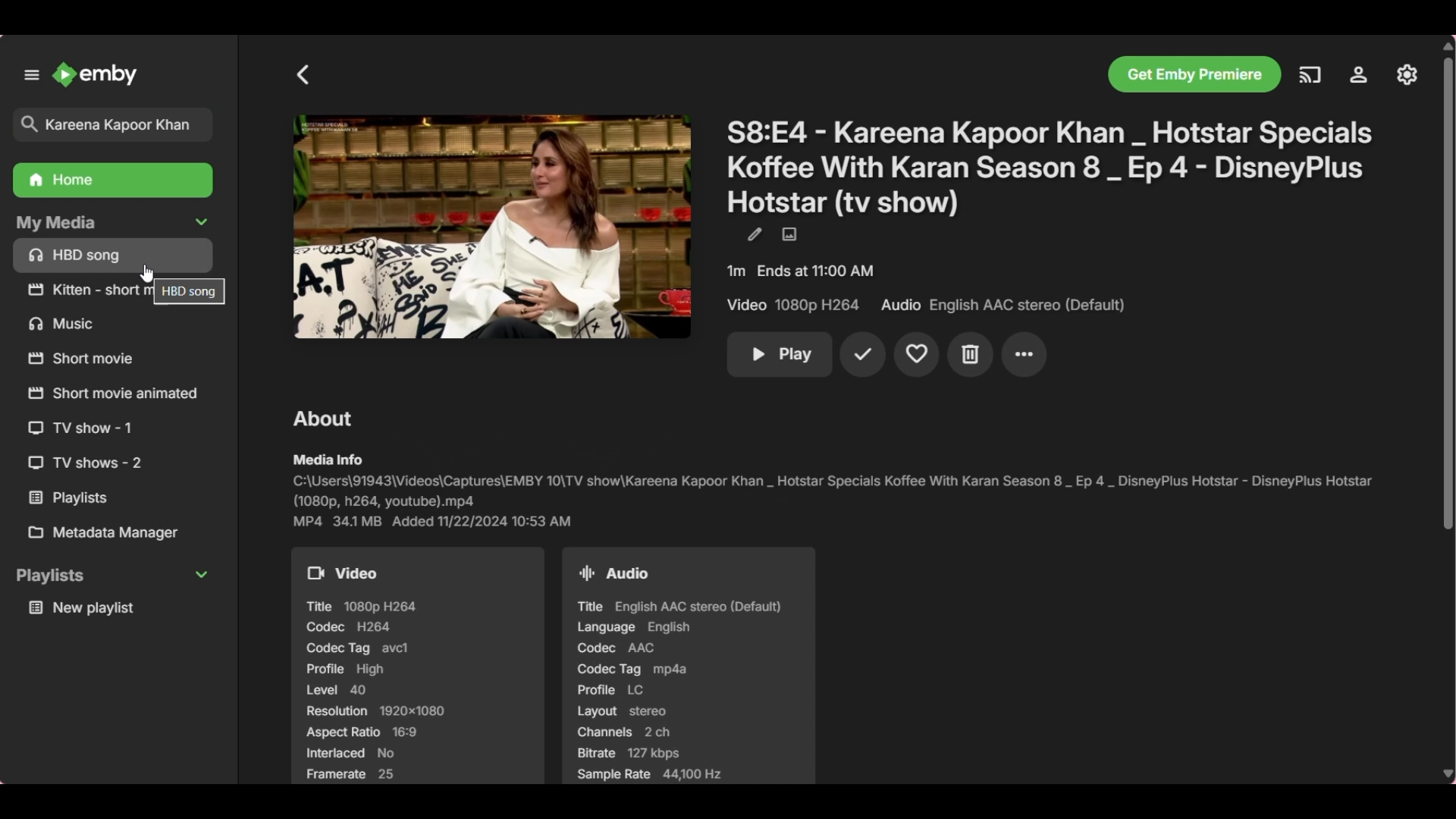 Image resolution: width=1456 pixels, height=819 pixels. What do you see at coordinates (94, 74) in the screenshot?
I see `Click to go to home` at bounding box center [94, 74].